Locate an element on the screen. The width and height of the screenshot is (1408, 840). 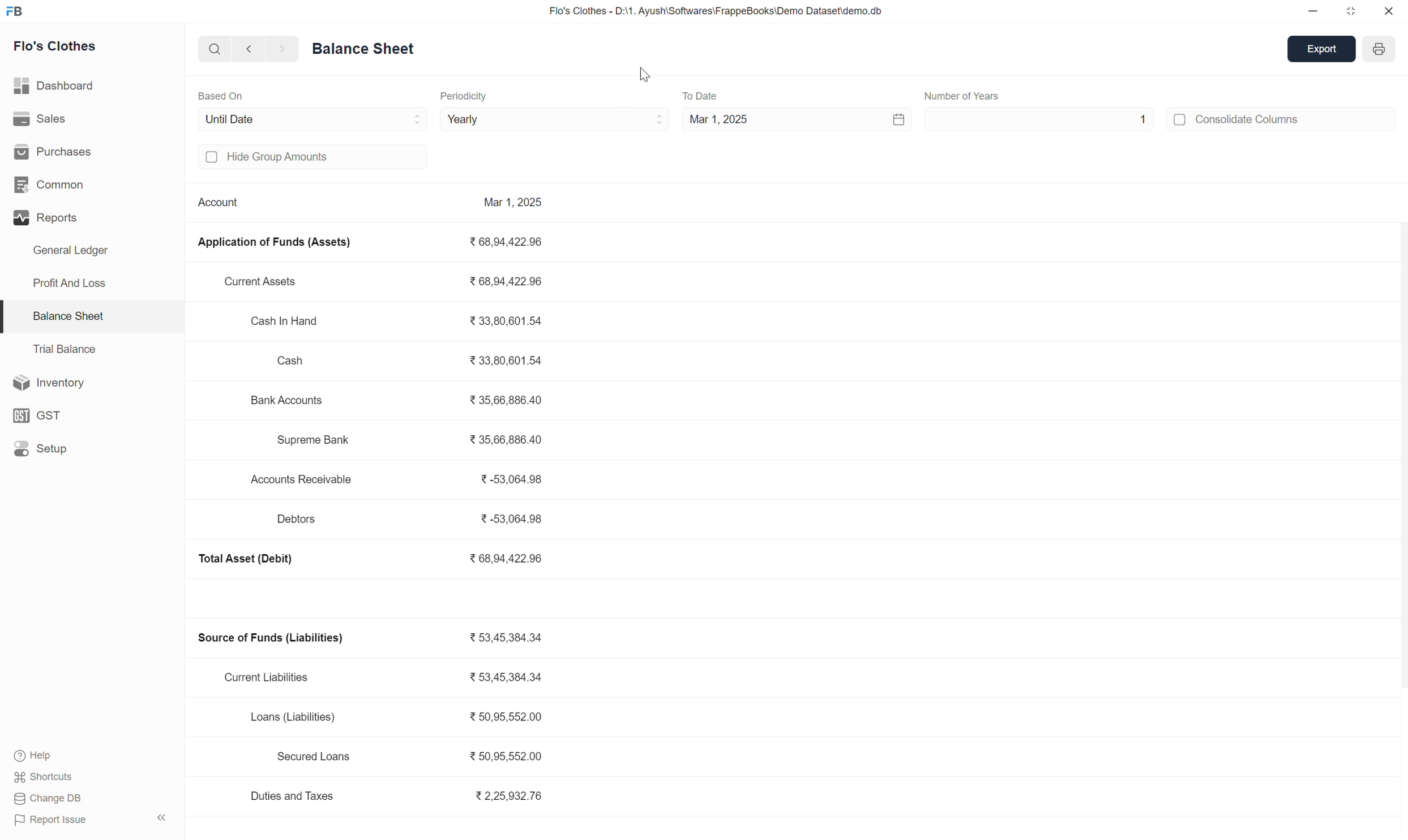
Debtors is located at coordinates (298, 519).